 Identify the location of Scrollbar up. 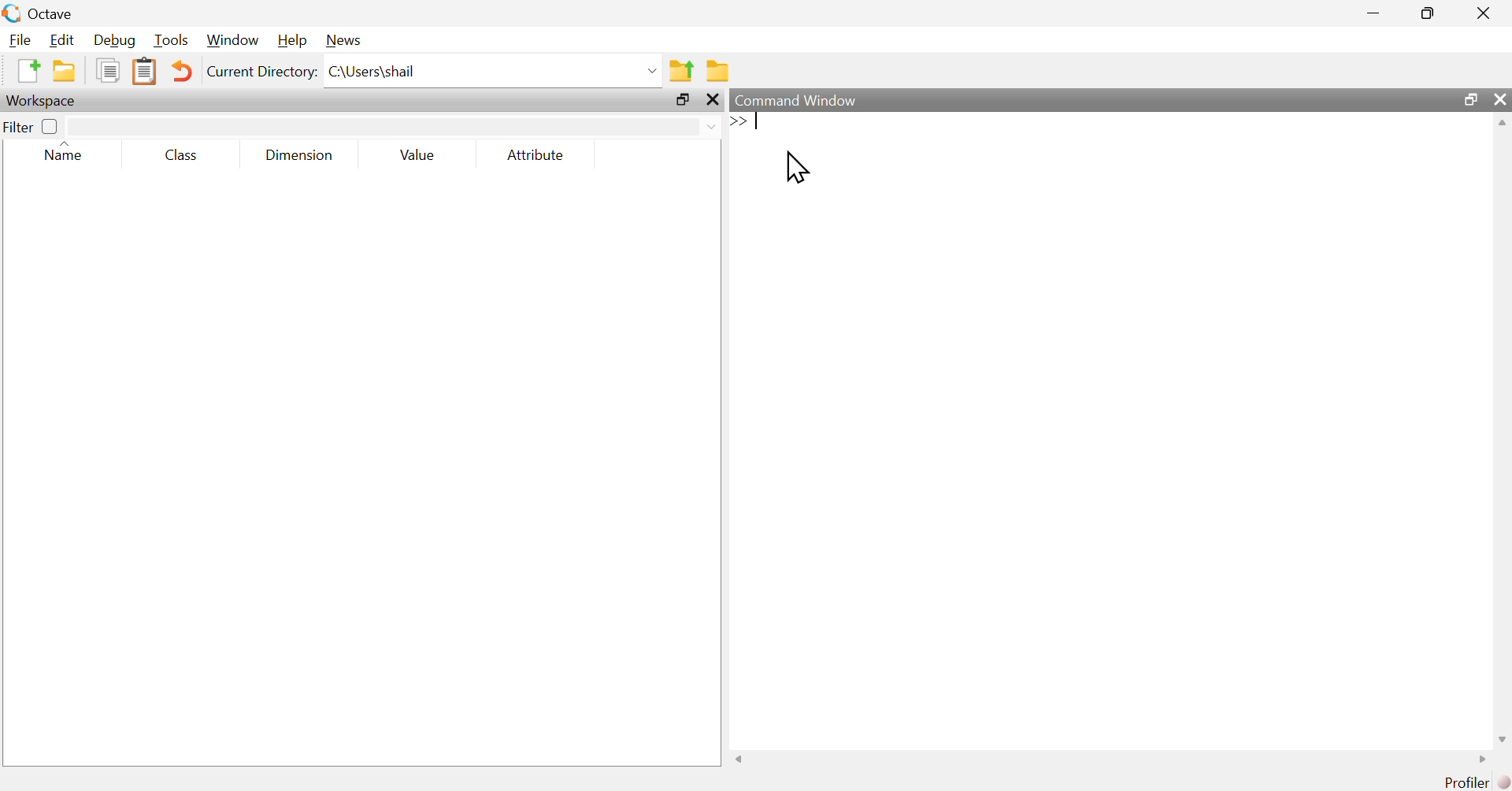
(1502, 124).